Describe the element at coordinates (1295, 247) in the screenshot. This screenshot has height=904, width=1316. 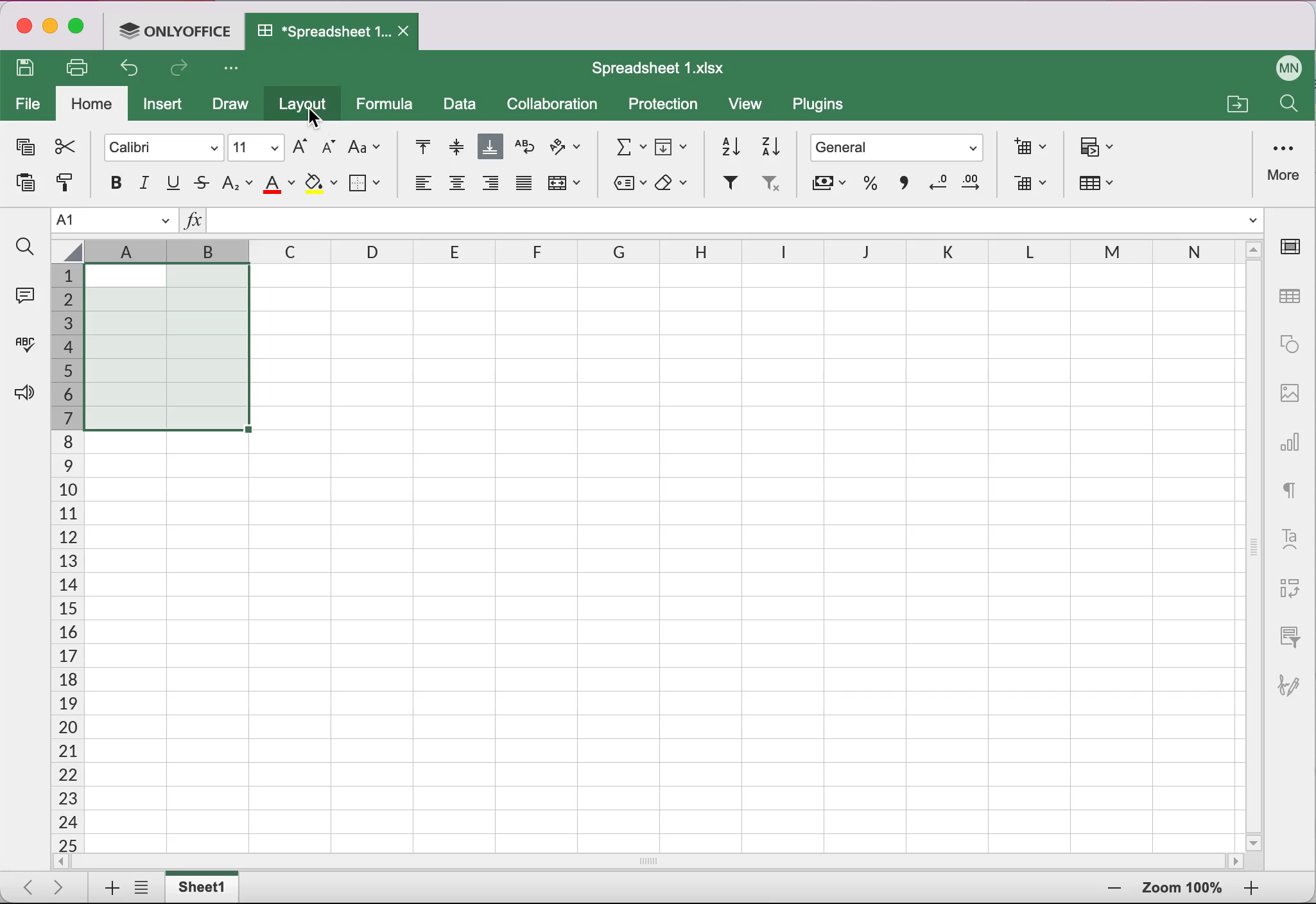
I see `cell settings` at that location.